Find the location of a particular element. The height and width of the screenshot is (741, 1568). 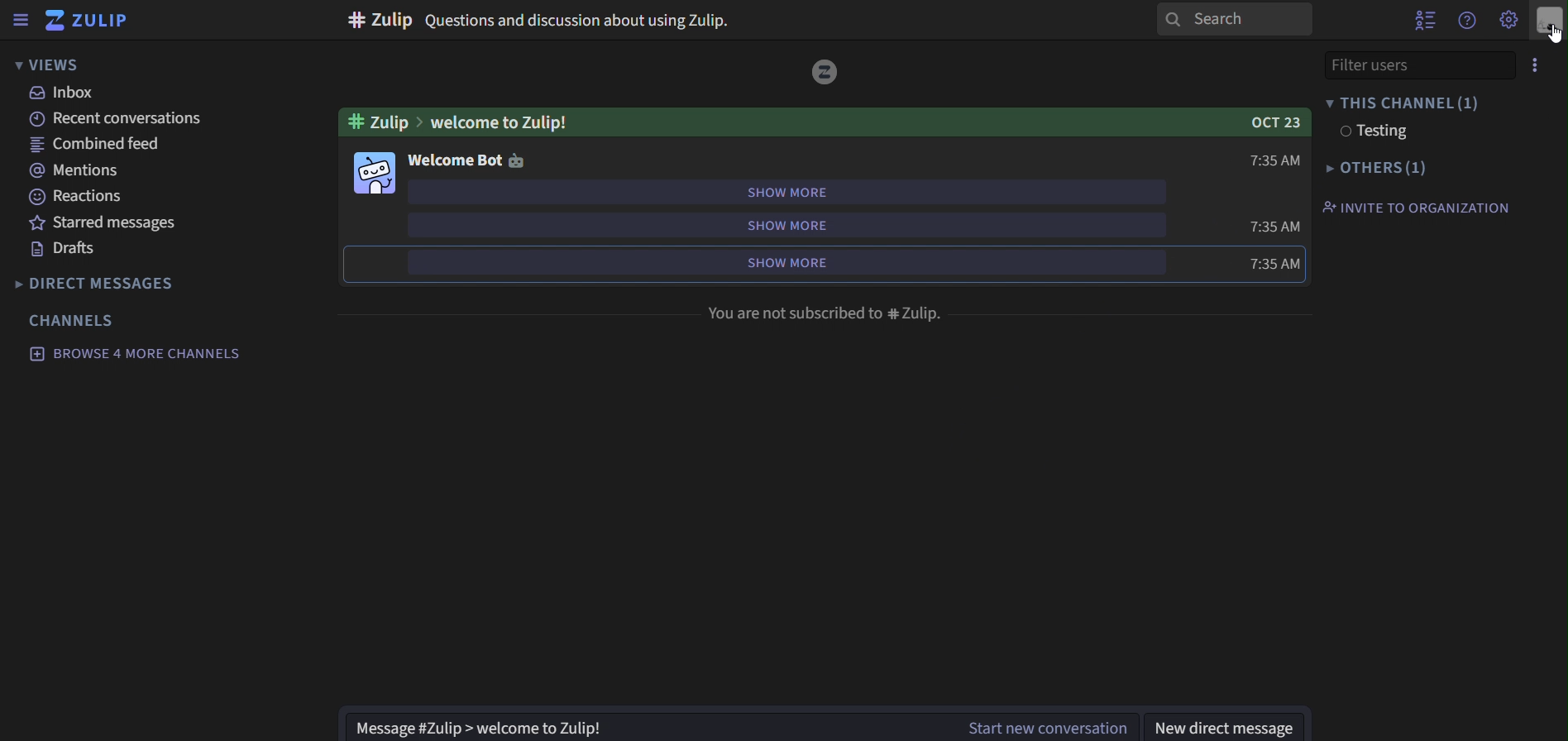

Cursor is located at coordinates (1549, 35).